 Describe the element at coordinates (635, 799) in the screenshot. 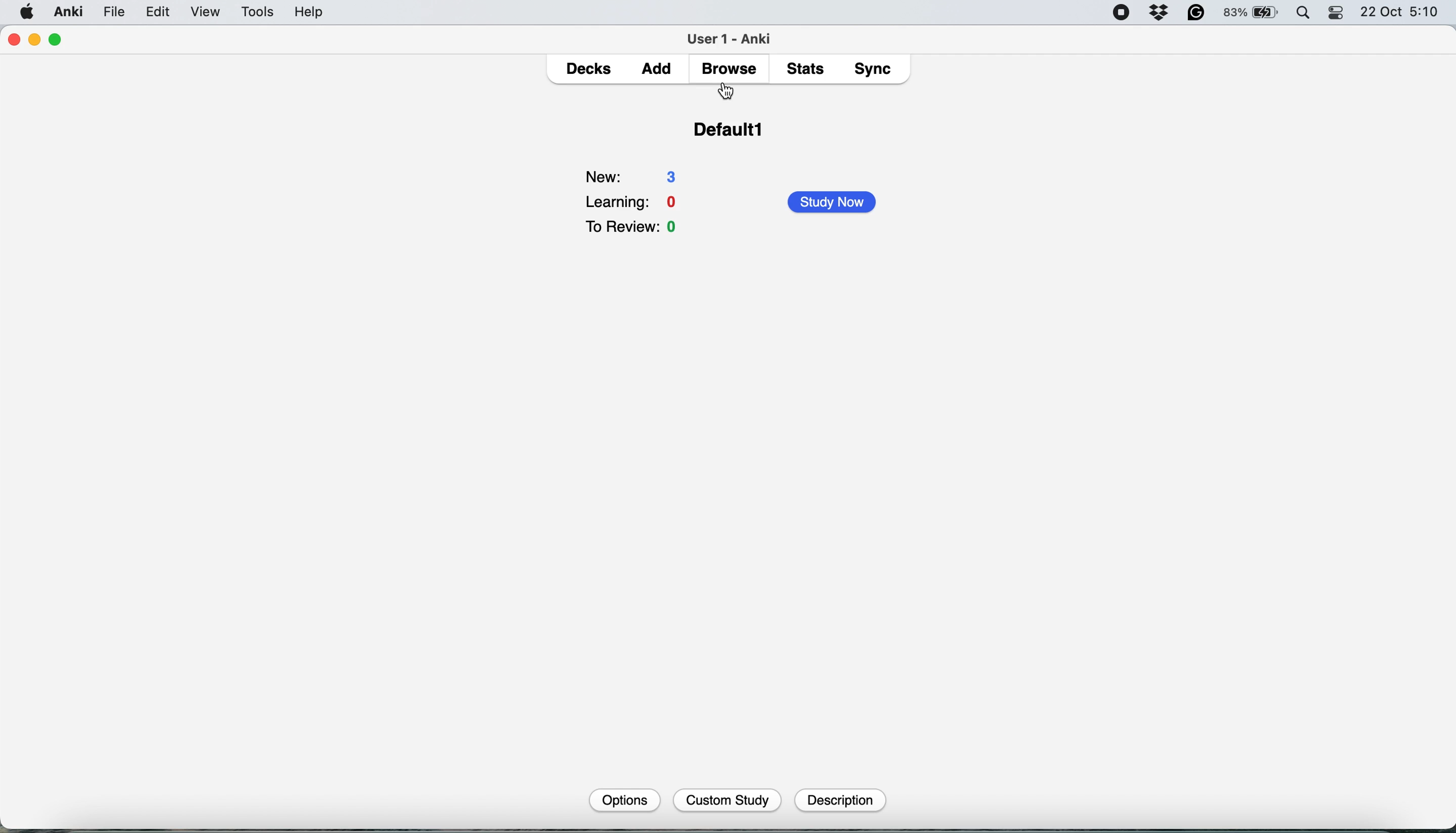

I see `get shared` at that location.